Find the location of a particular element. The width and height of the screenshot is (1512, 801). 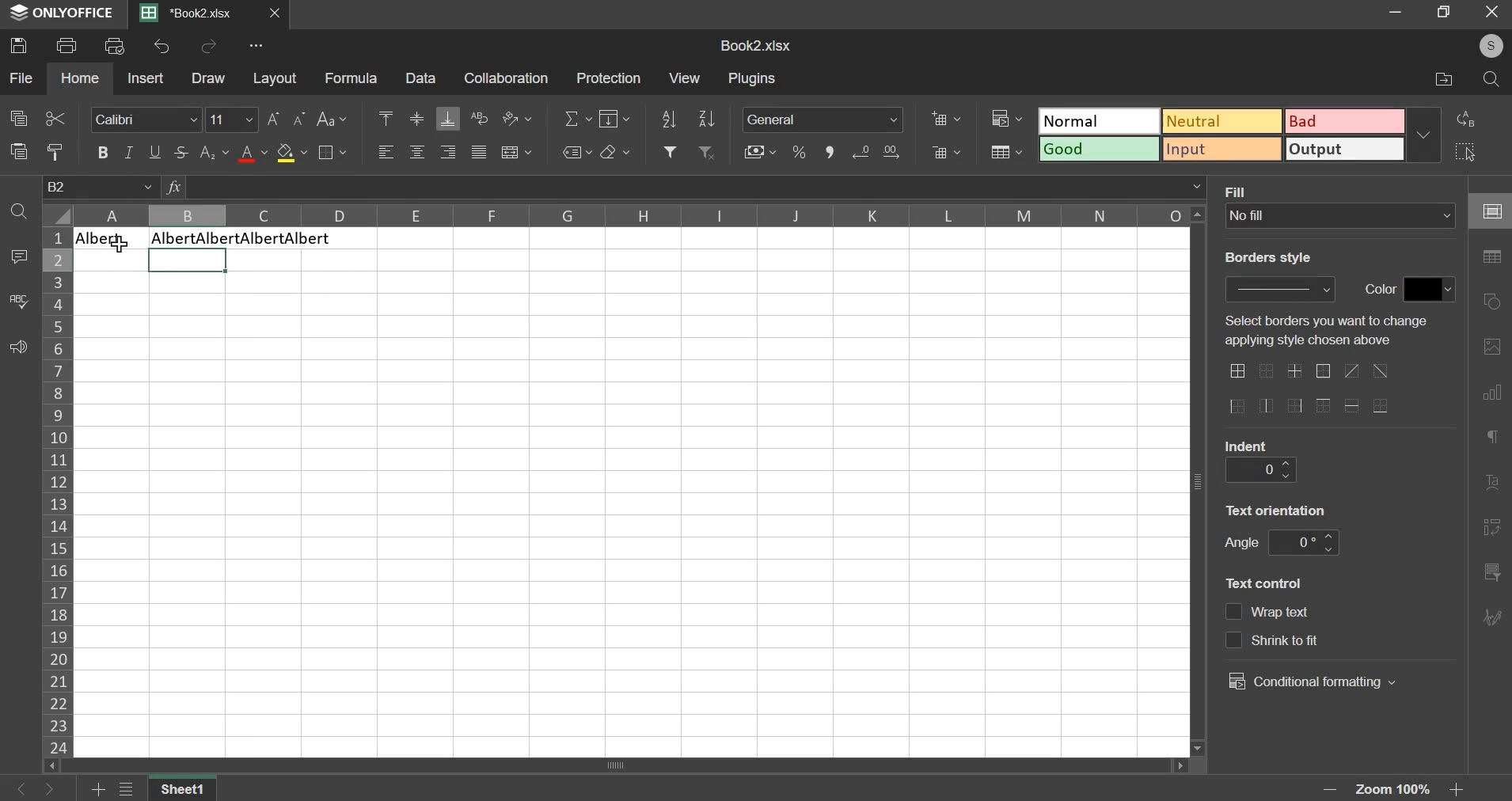

italic is located at coordinates (130, 152).